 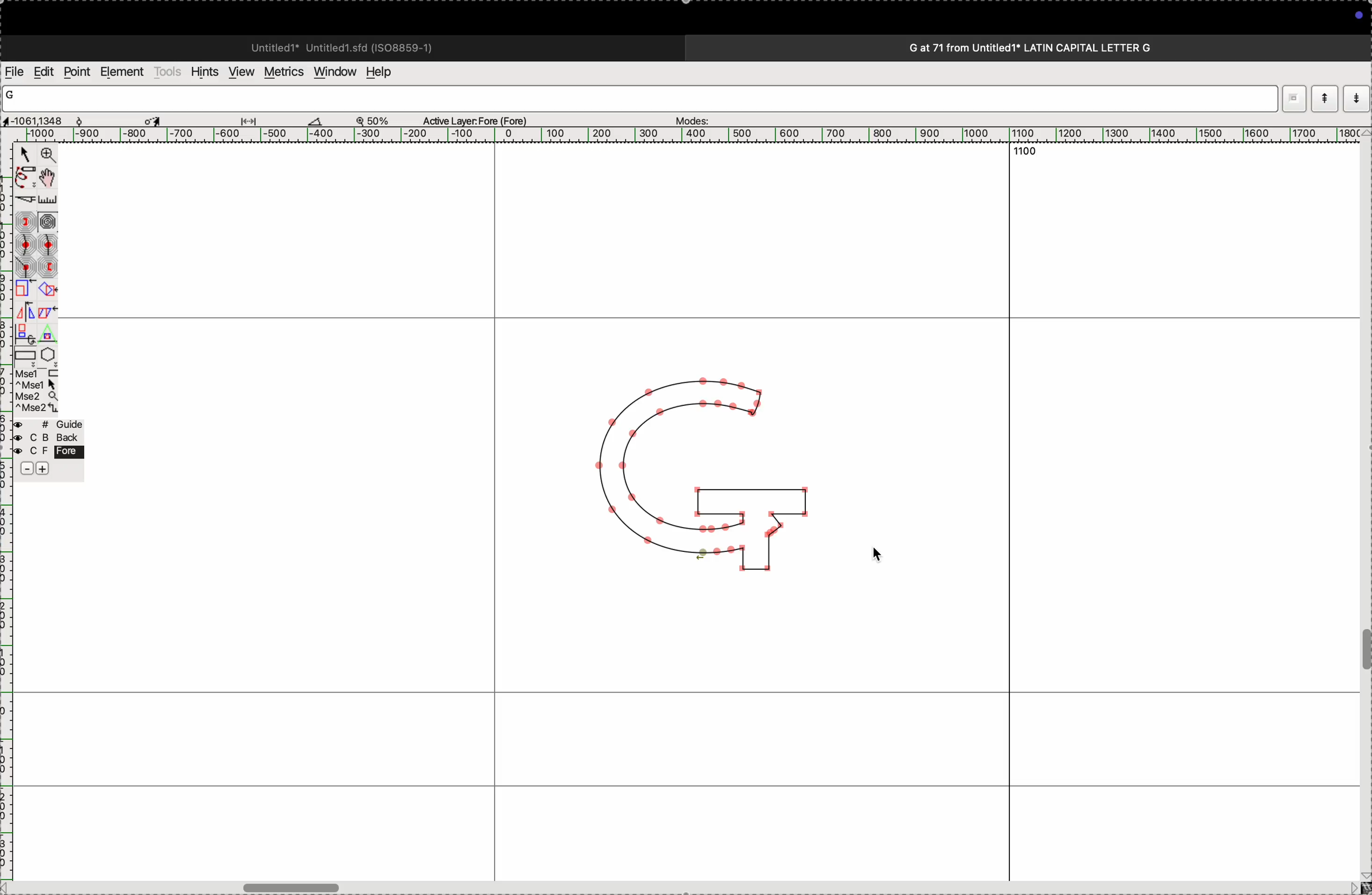 I want to click on 3D rotate, so click(x=25, y=334).